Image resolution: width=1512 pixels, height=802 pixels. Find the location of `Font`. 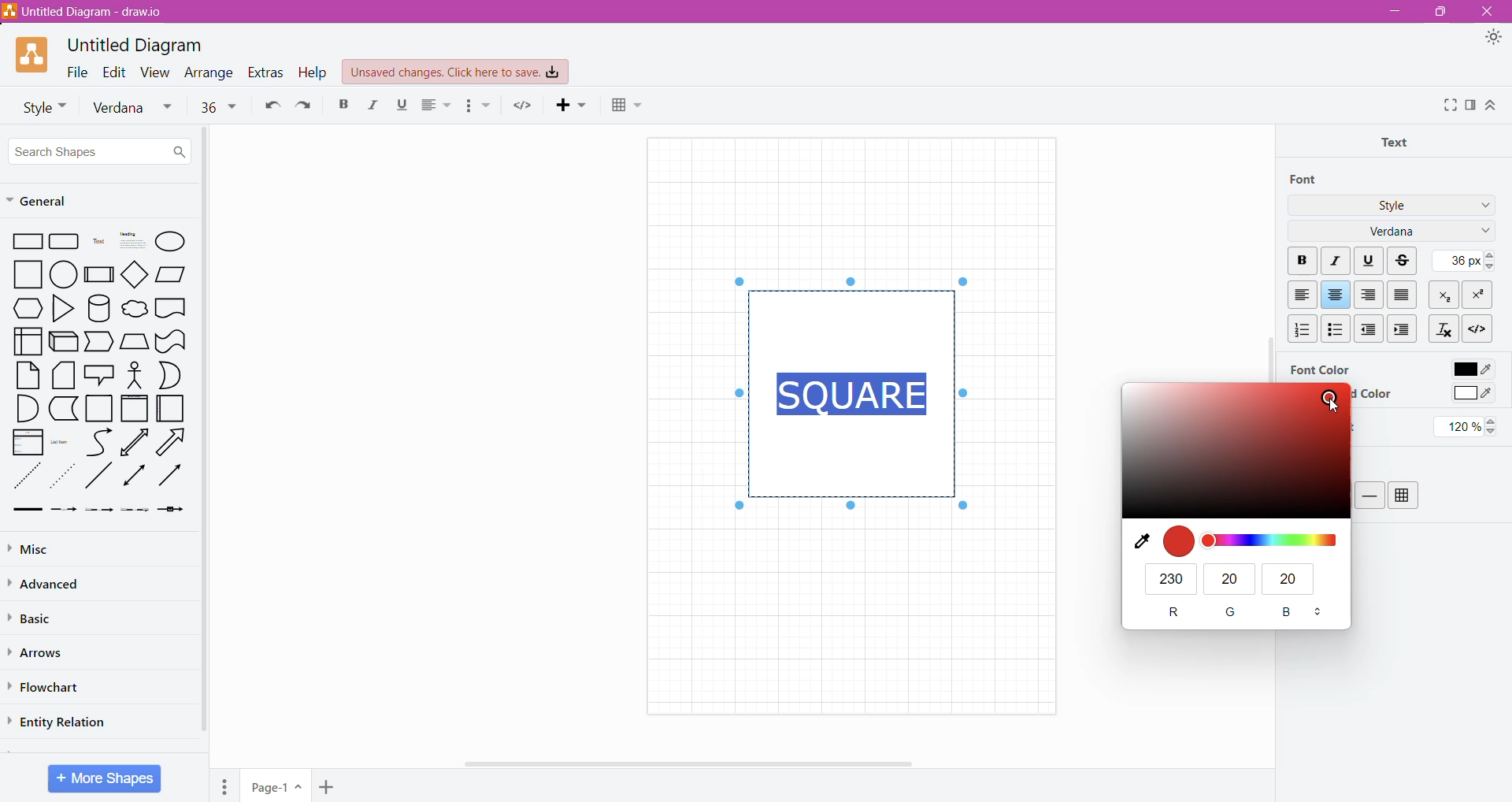

Font is located at coordinates (1305, 180).